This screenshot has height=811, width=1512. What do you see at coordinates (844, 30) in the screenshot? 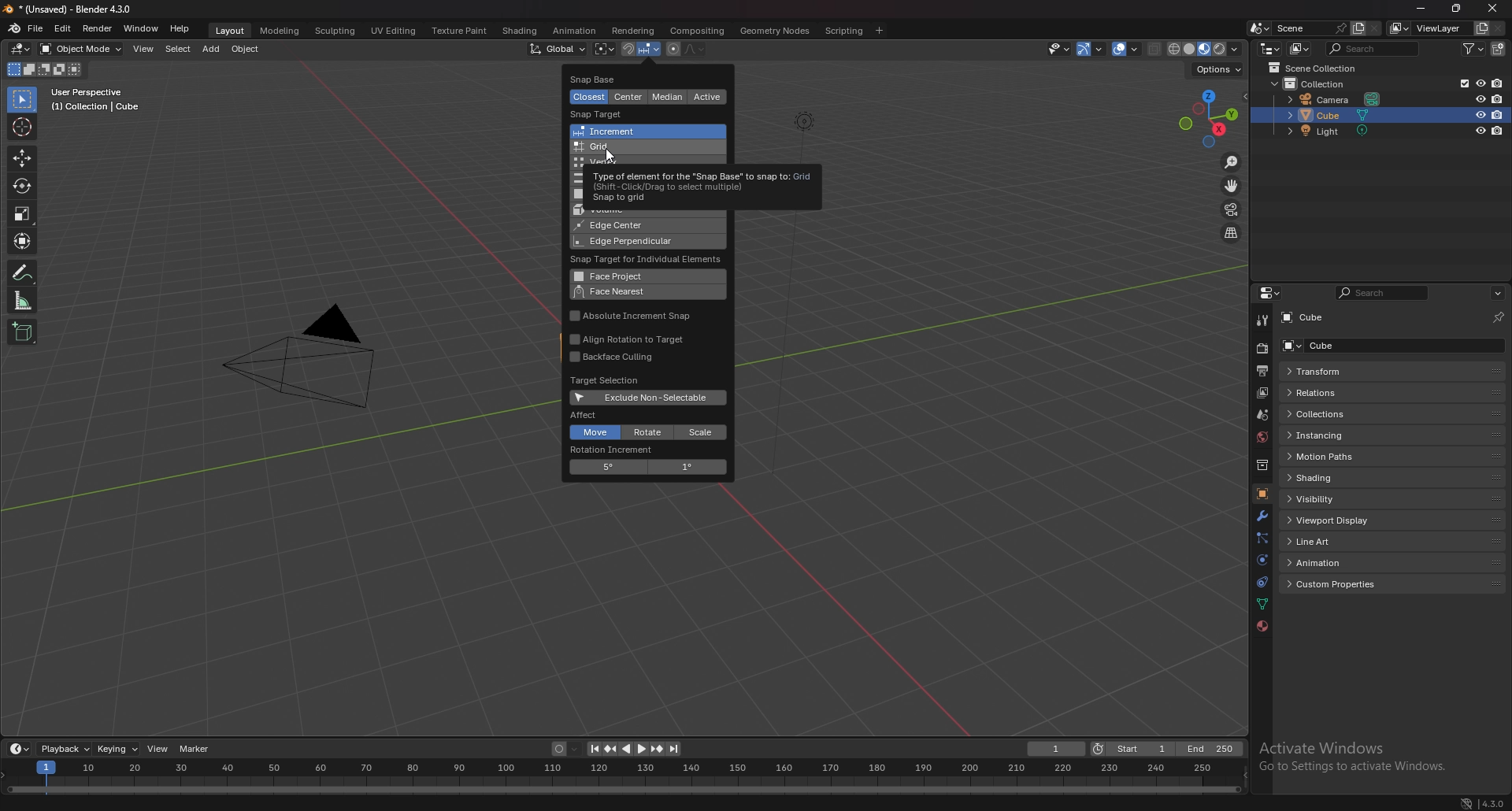
I see `scripting` at bounding box center [844, 30].